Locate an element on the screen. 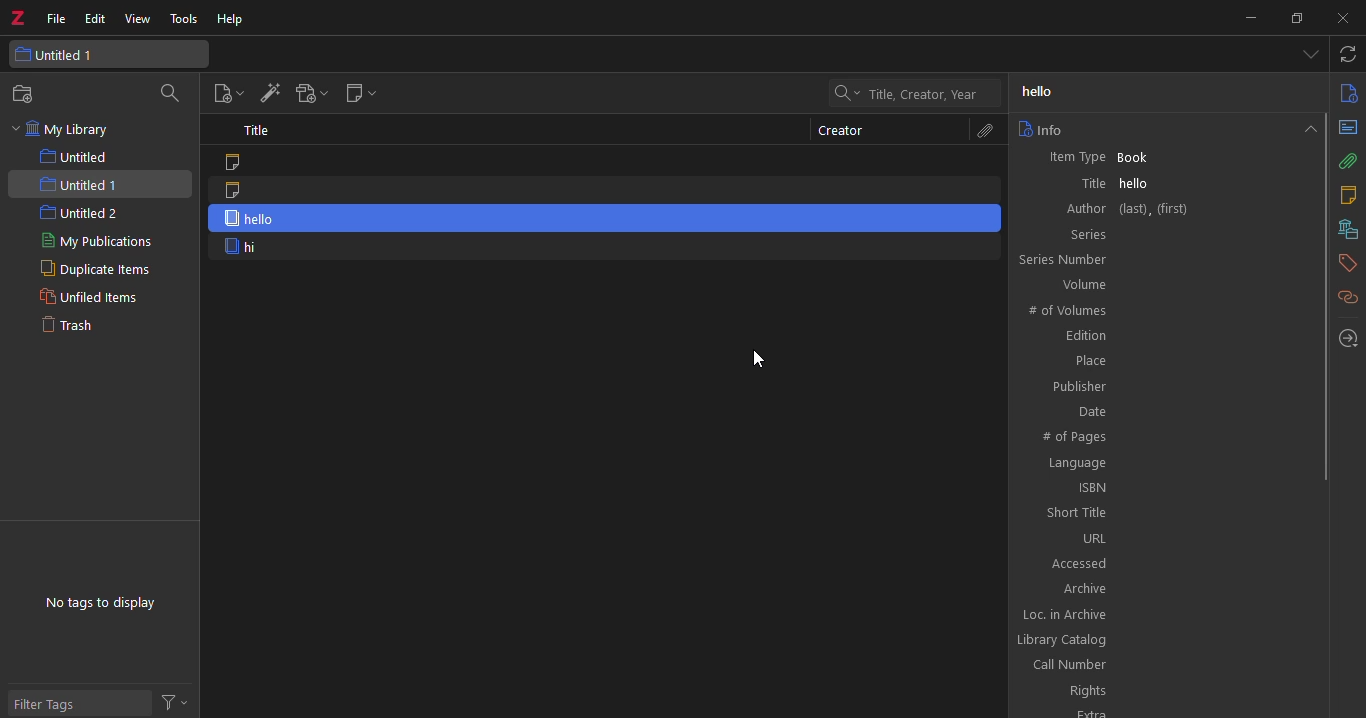  search option drop down is located at coordinates (844, 93).